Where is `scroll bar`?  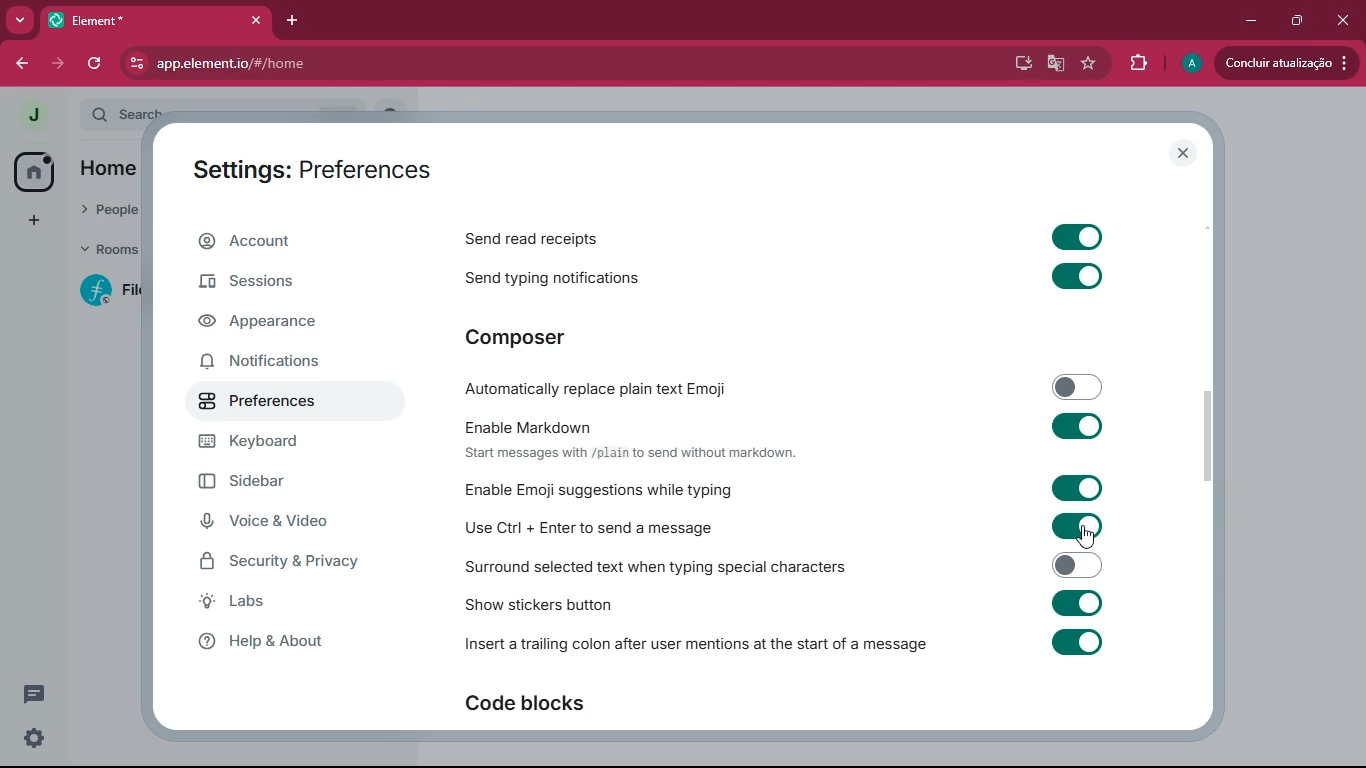 scroll bar is located at coordinates (1210, 439).